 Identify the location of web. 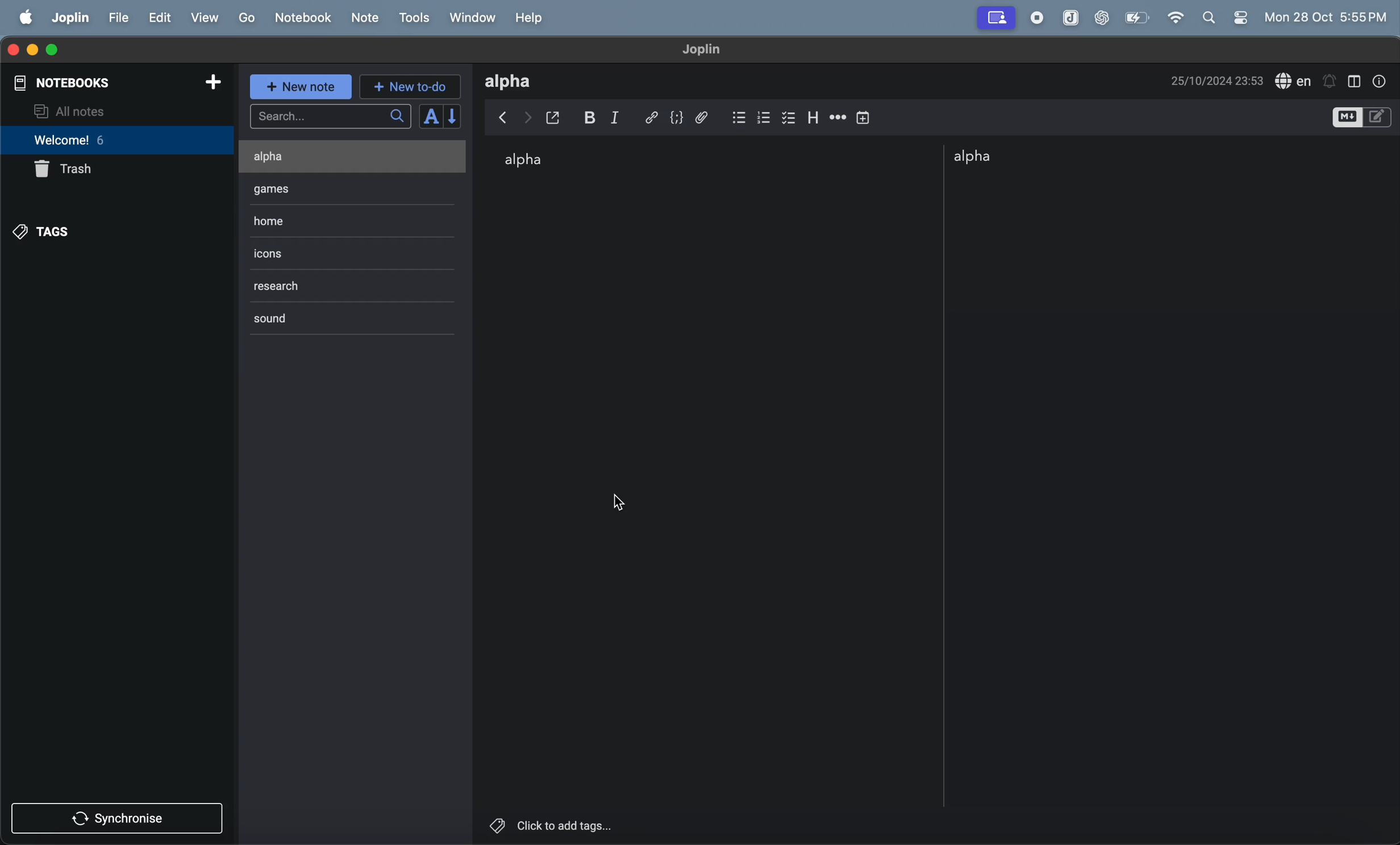
(996, 18).